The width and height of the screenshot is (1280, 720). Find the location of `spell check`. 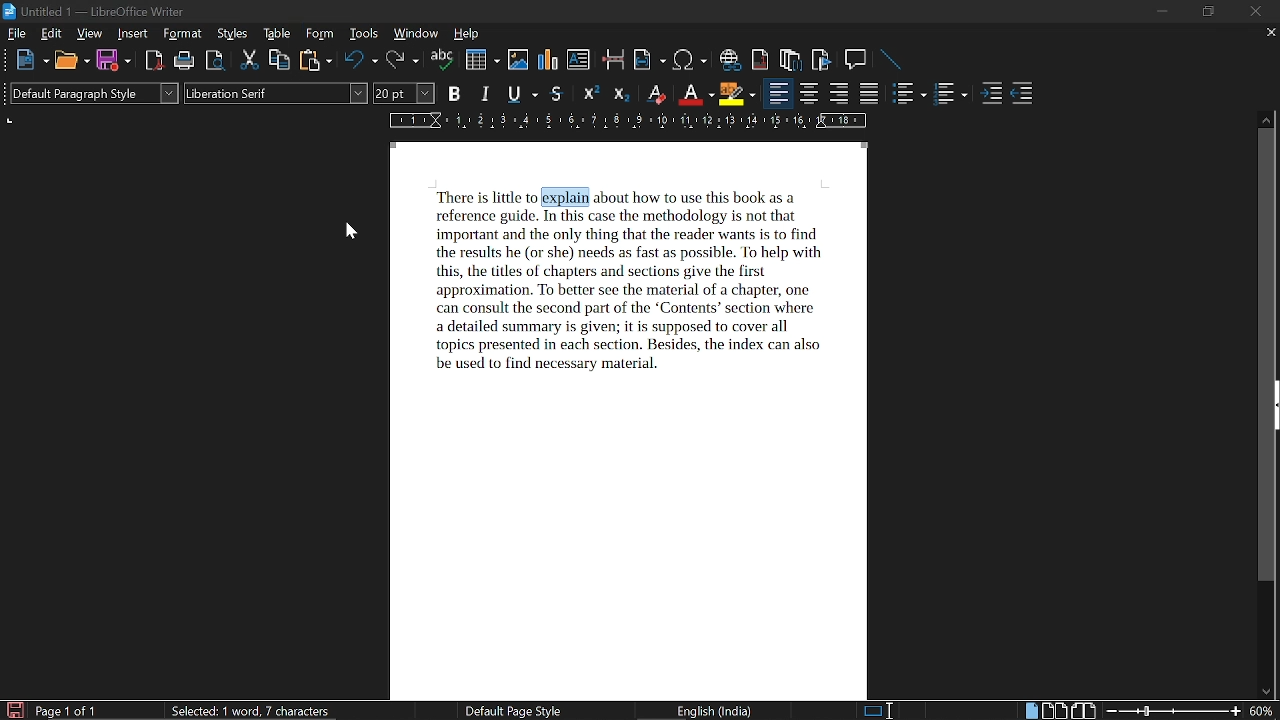

spell check is located at coordinates (442, 61).